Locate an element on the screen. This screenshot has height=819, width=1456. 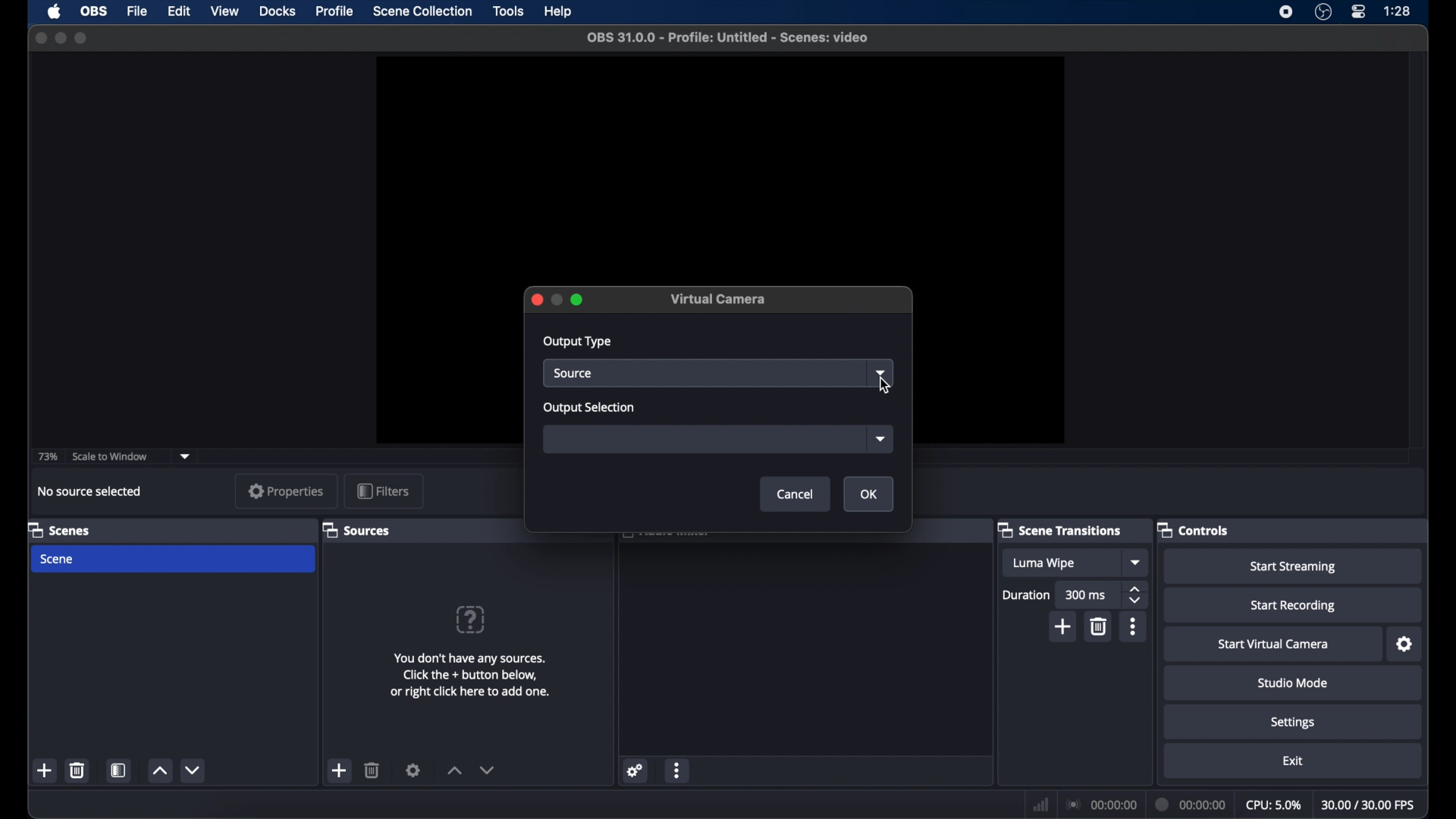
cursor is located at coordinates (884, 384).